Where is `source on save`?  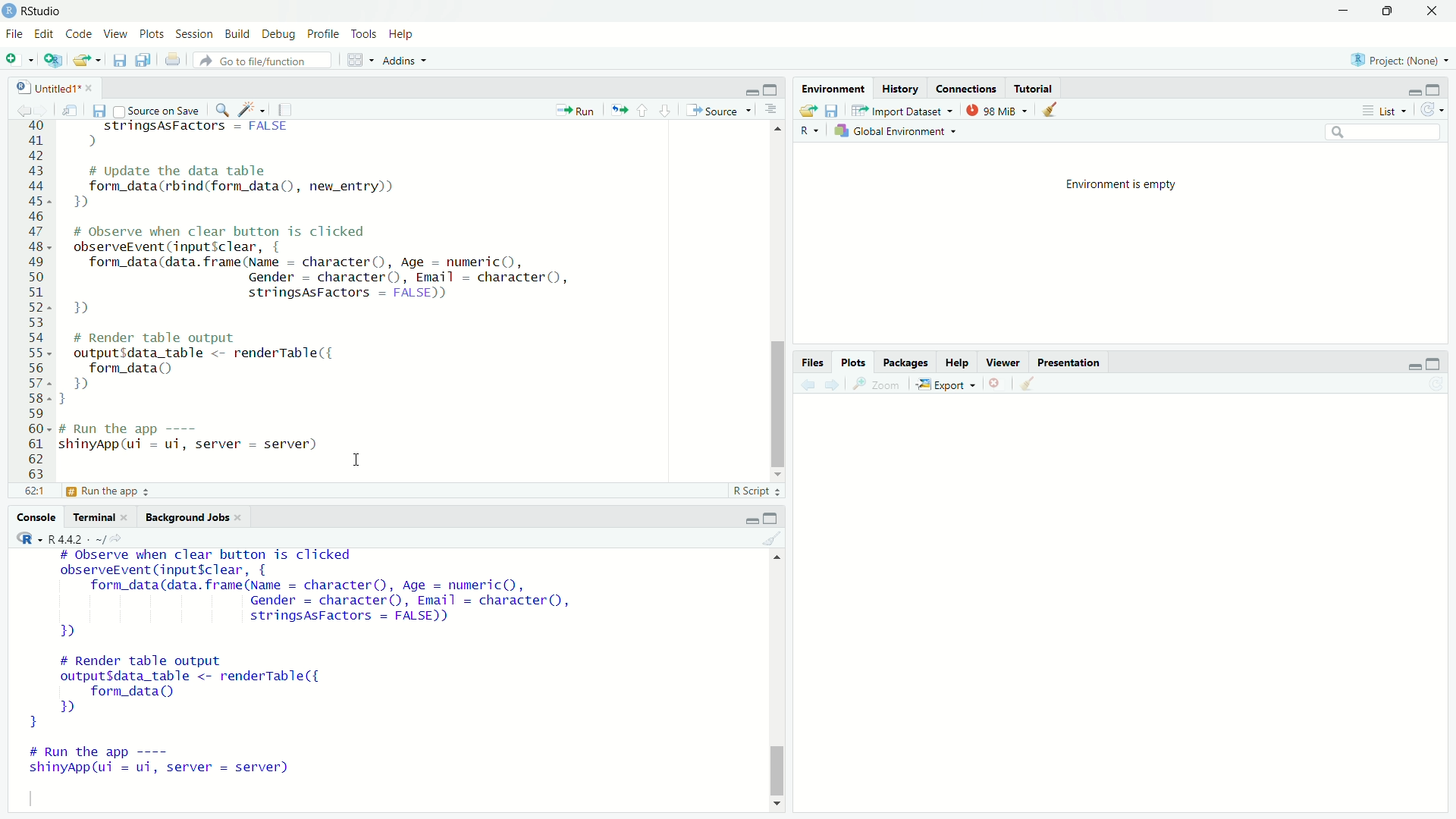
source on save is located at coordinates (156, 109).